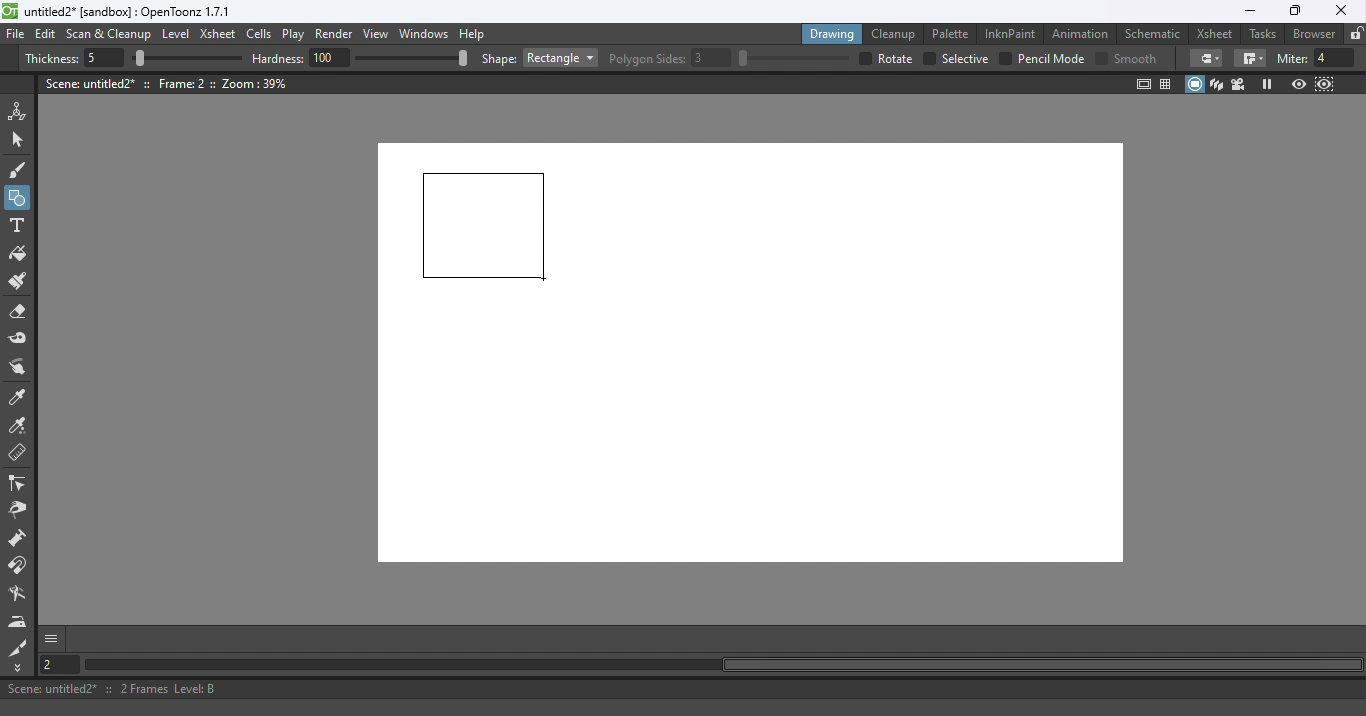 This screenshot has width=1366, height=716. Describe the element at coordinates (1298, 85) in the screenshot. I see `Preview` at that location.